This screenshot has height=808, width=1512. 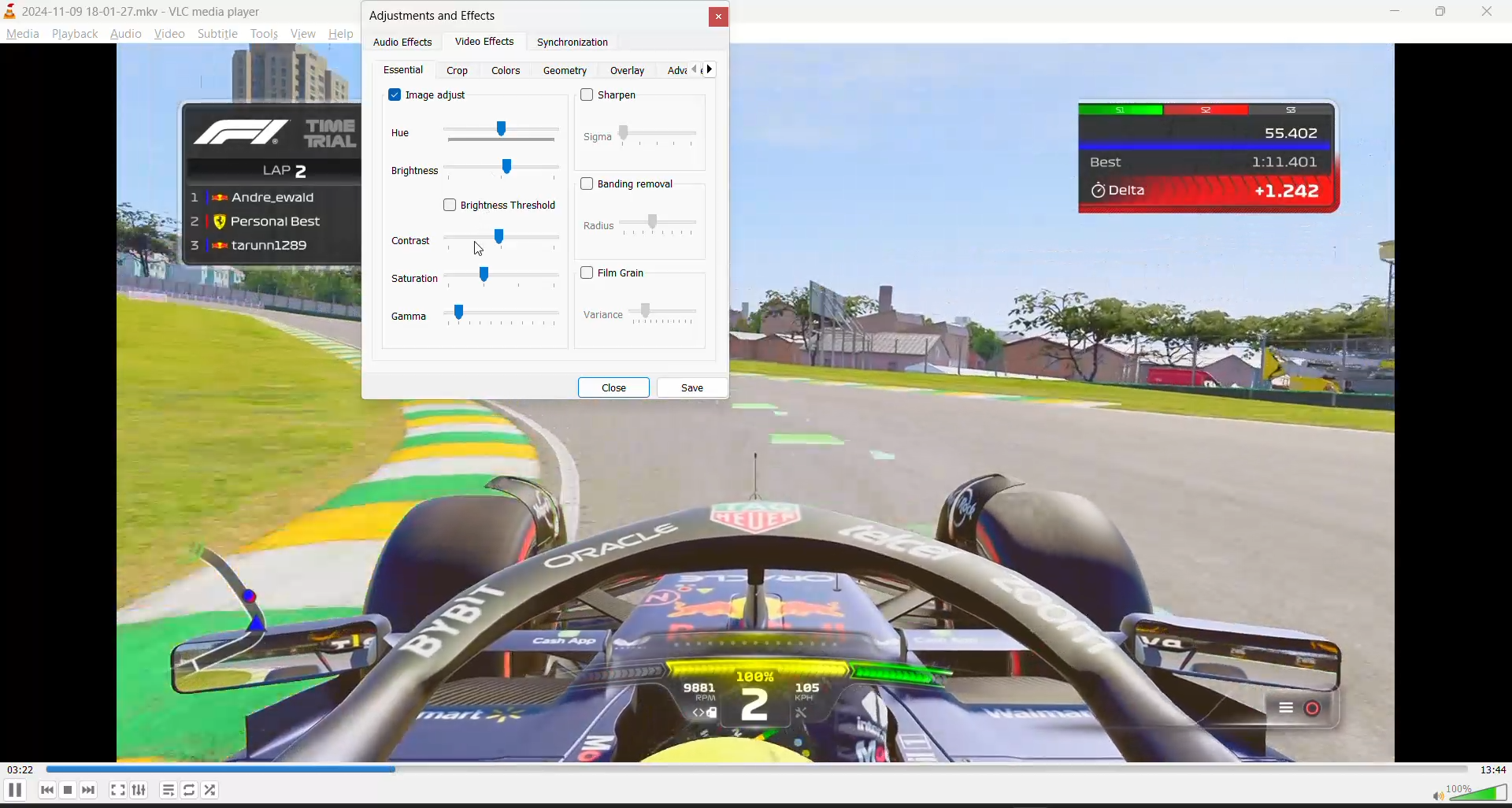 I want to click on video, so click(x=169, y=32).